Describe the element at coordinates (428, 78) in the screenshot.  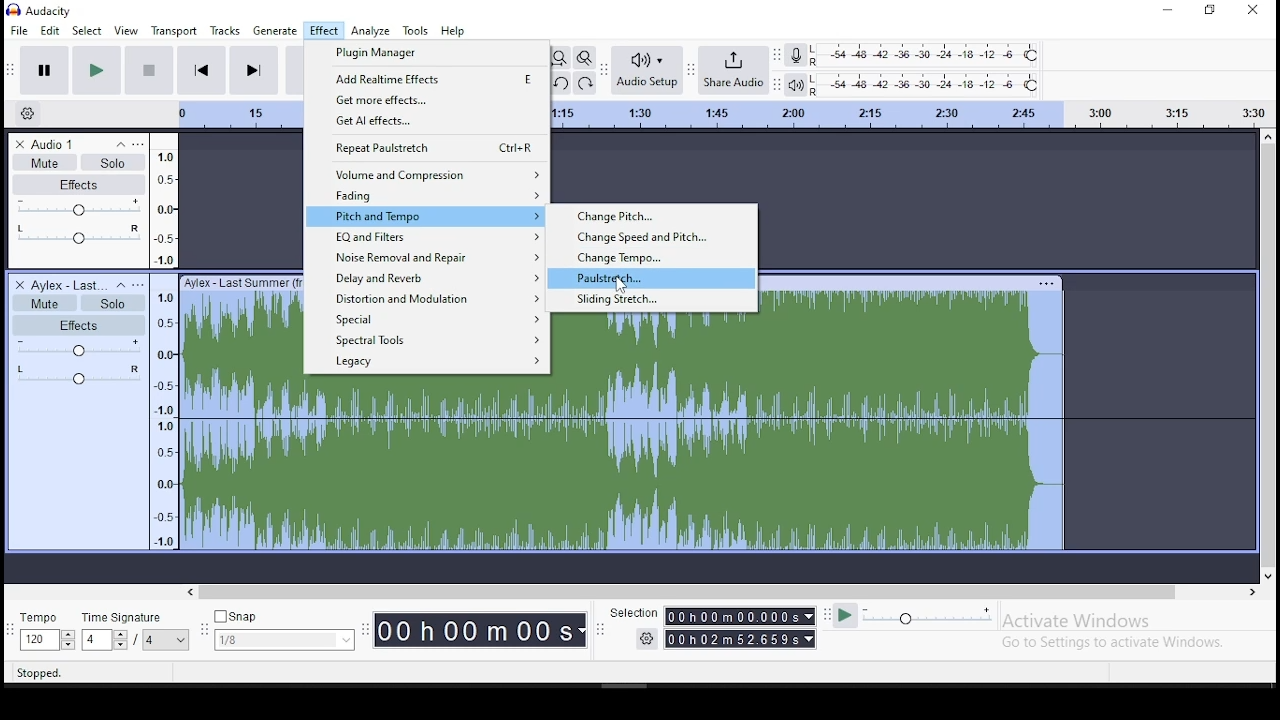
I see `add real time effects` at that location.